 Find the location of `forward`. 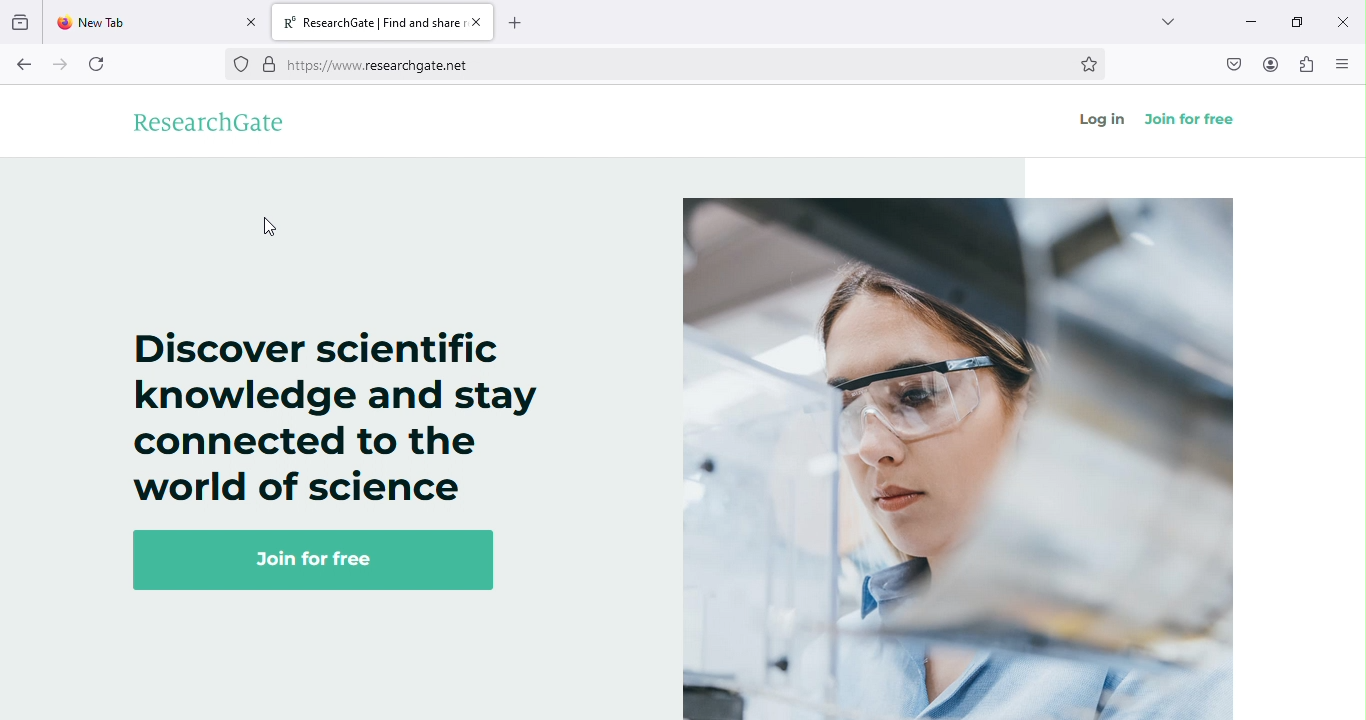

forward is located at coordinates (59, 65).